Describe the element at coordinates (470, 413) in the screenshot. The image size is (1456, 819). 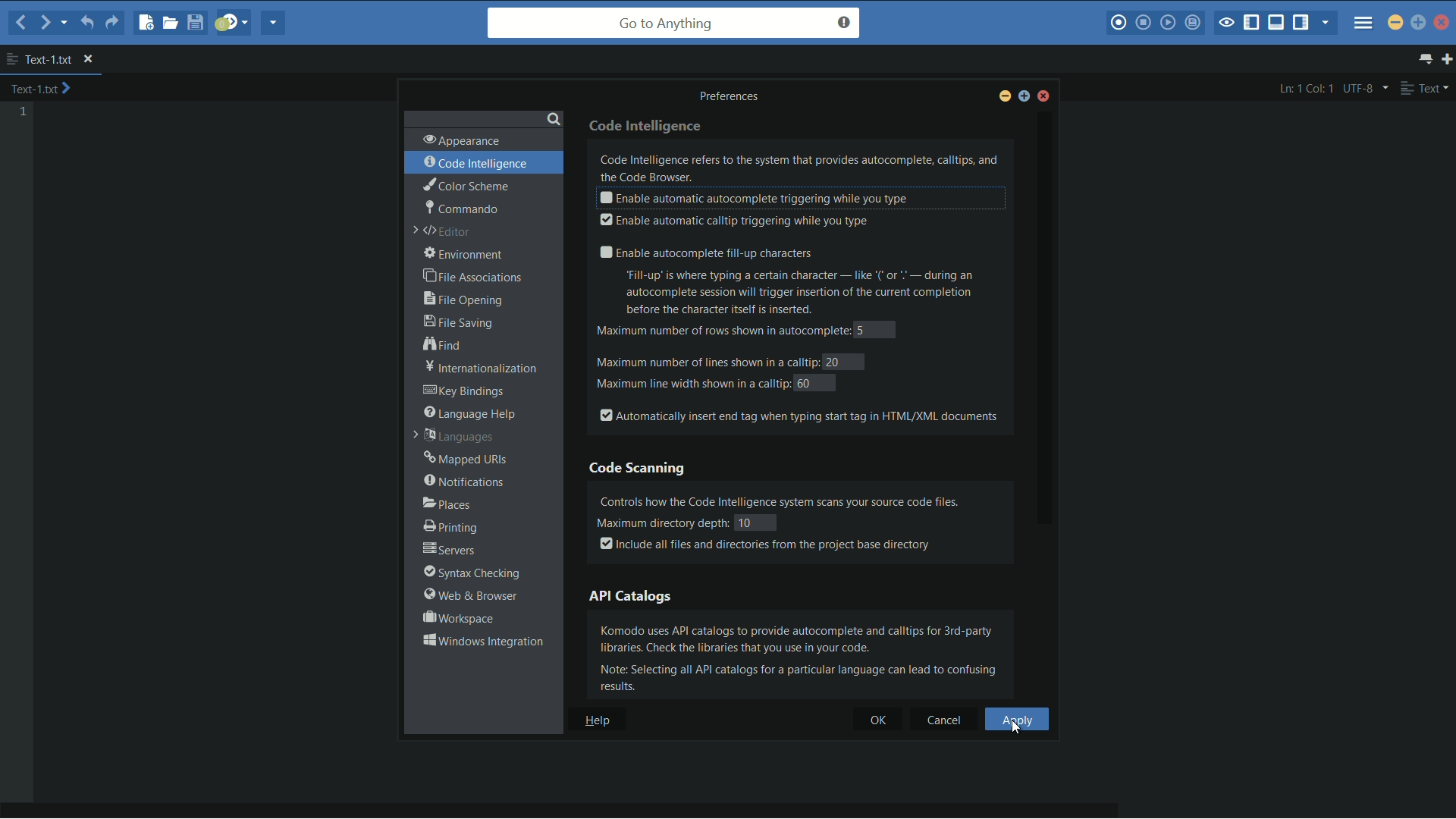
I see `language help` at that location.